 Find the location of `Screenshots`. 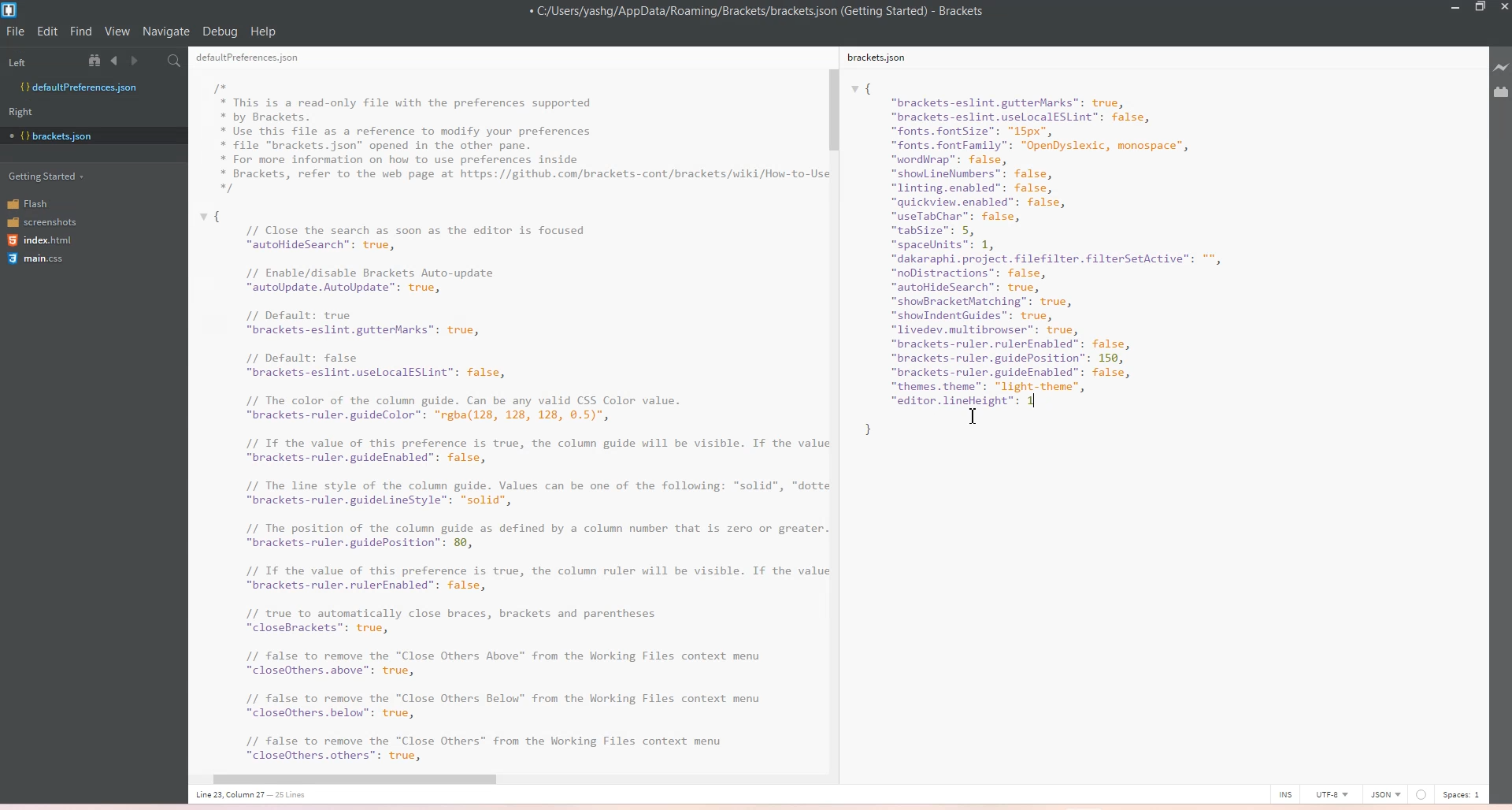

Screenshots is located at coordinates (42, 221).